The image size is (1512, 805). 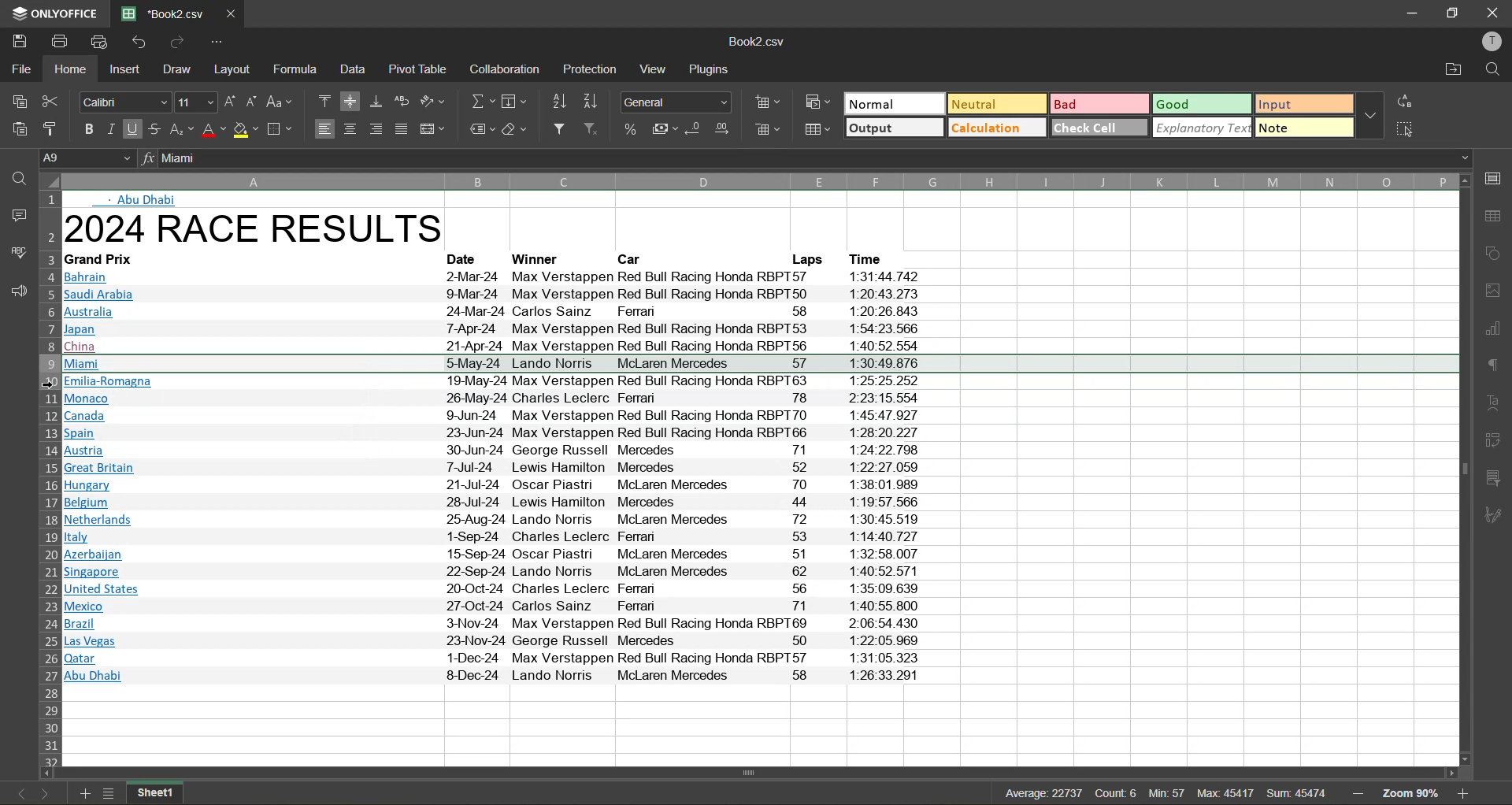 I want to click on font color, so click(x=214, y=131).